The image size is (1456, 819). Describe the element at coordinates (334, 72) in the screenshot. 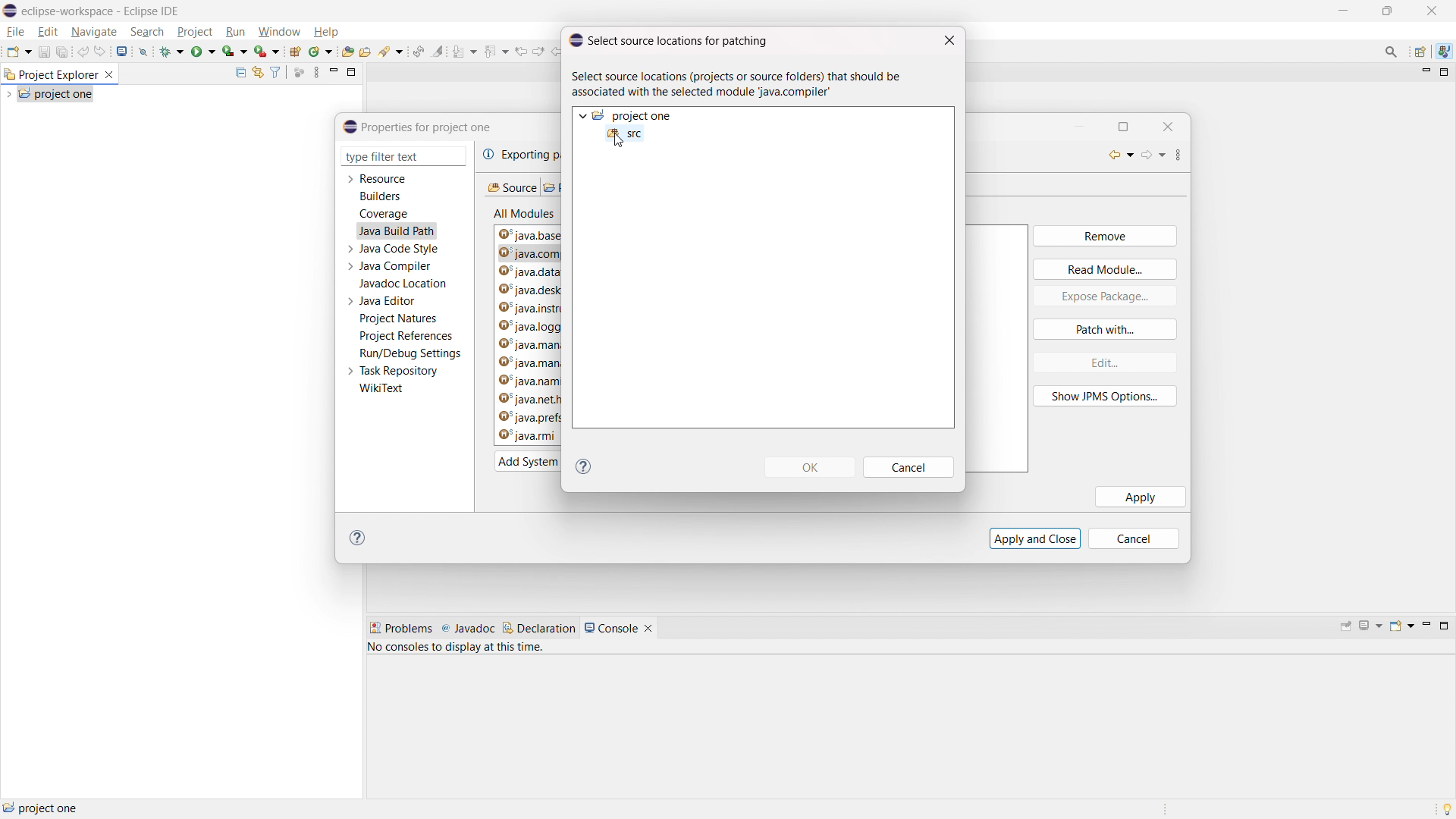

I see `minimize` at that location.